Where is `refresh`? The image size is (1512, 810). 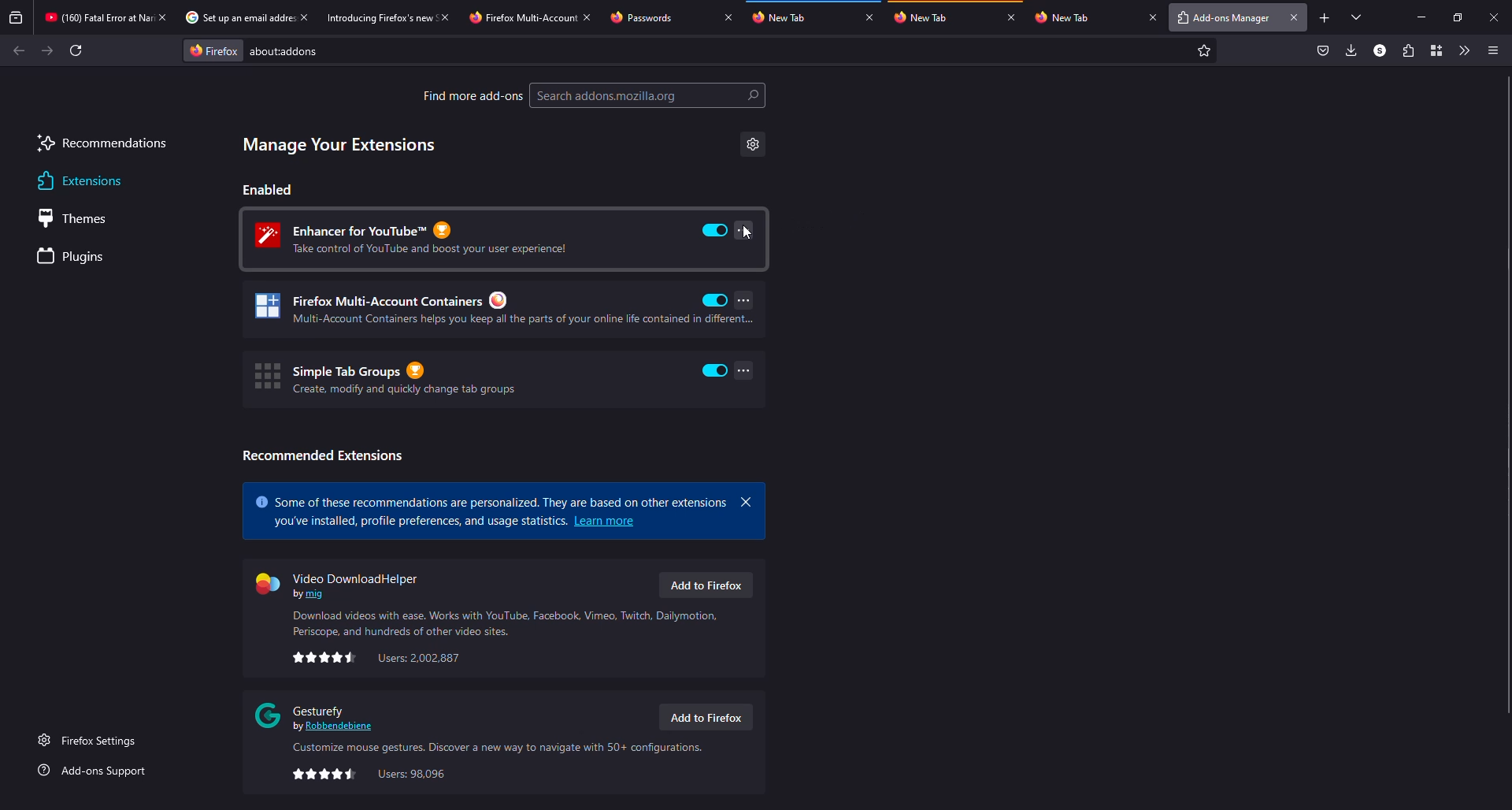 refresh is located at coordinates (76, 50).